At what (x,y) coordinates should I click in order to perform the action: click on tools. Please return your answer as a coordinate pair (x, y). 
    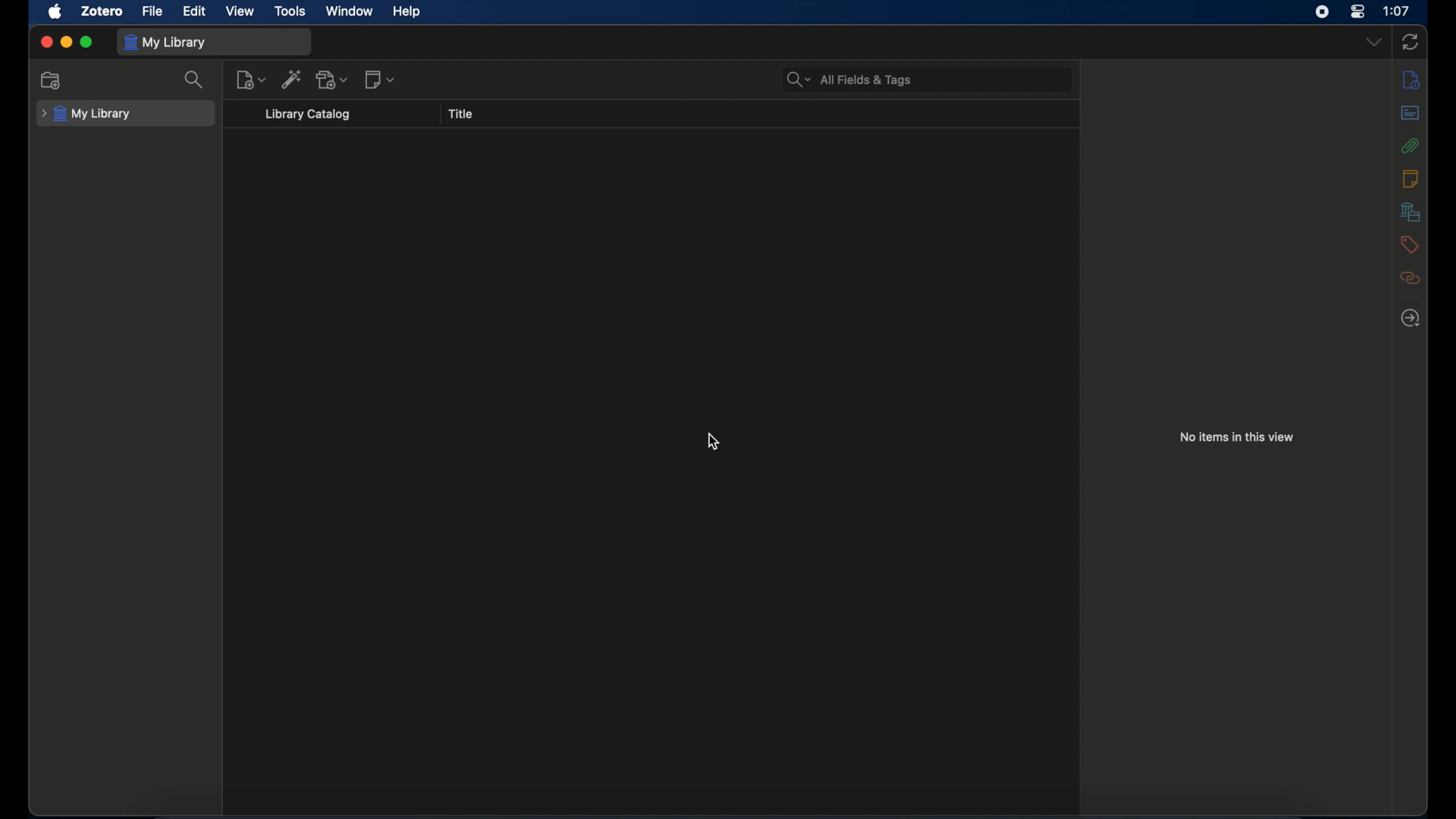
    Looking at the image, I should click on (290, 11).